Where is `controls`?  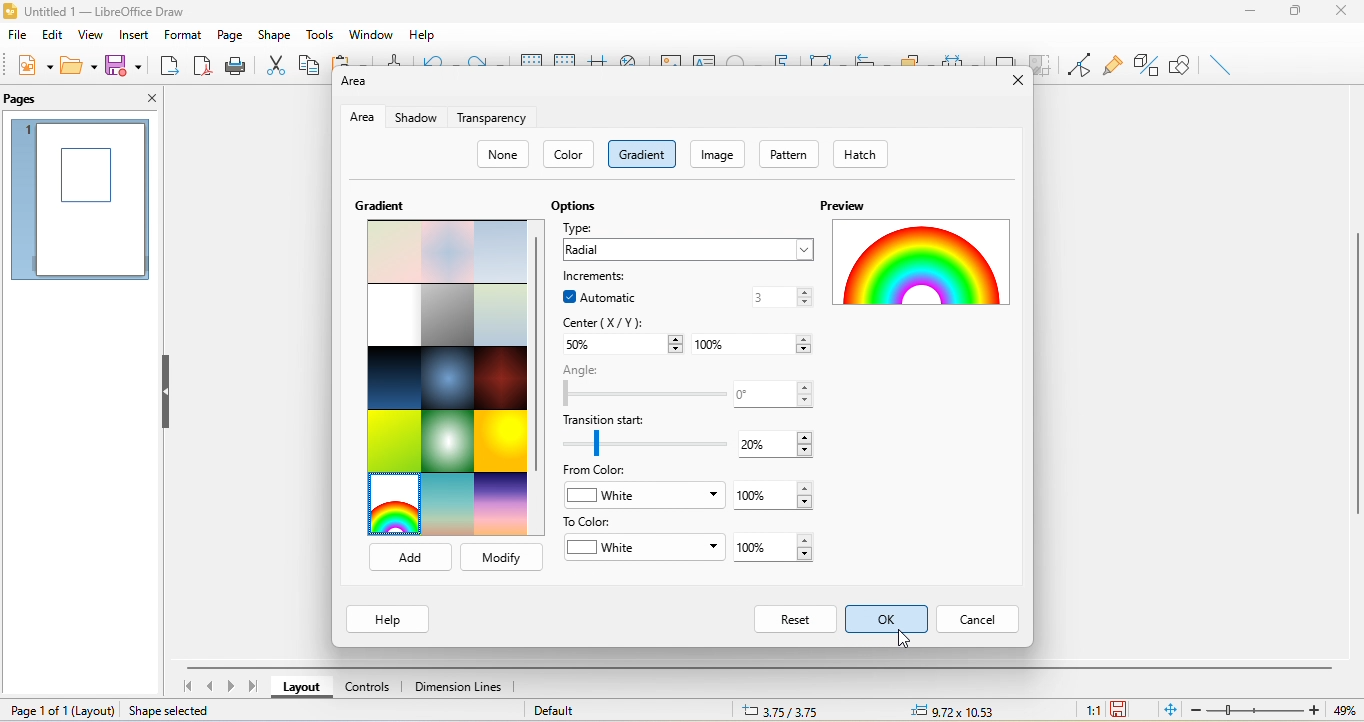 controls is located at coordinates (369, 685).